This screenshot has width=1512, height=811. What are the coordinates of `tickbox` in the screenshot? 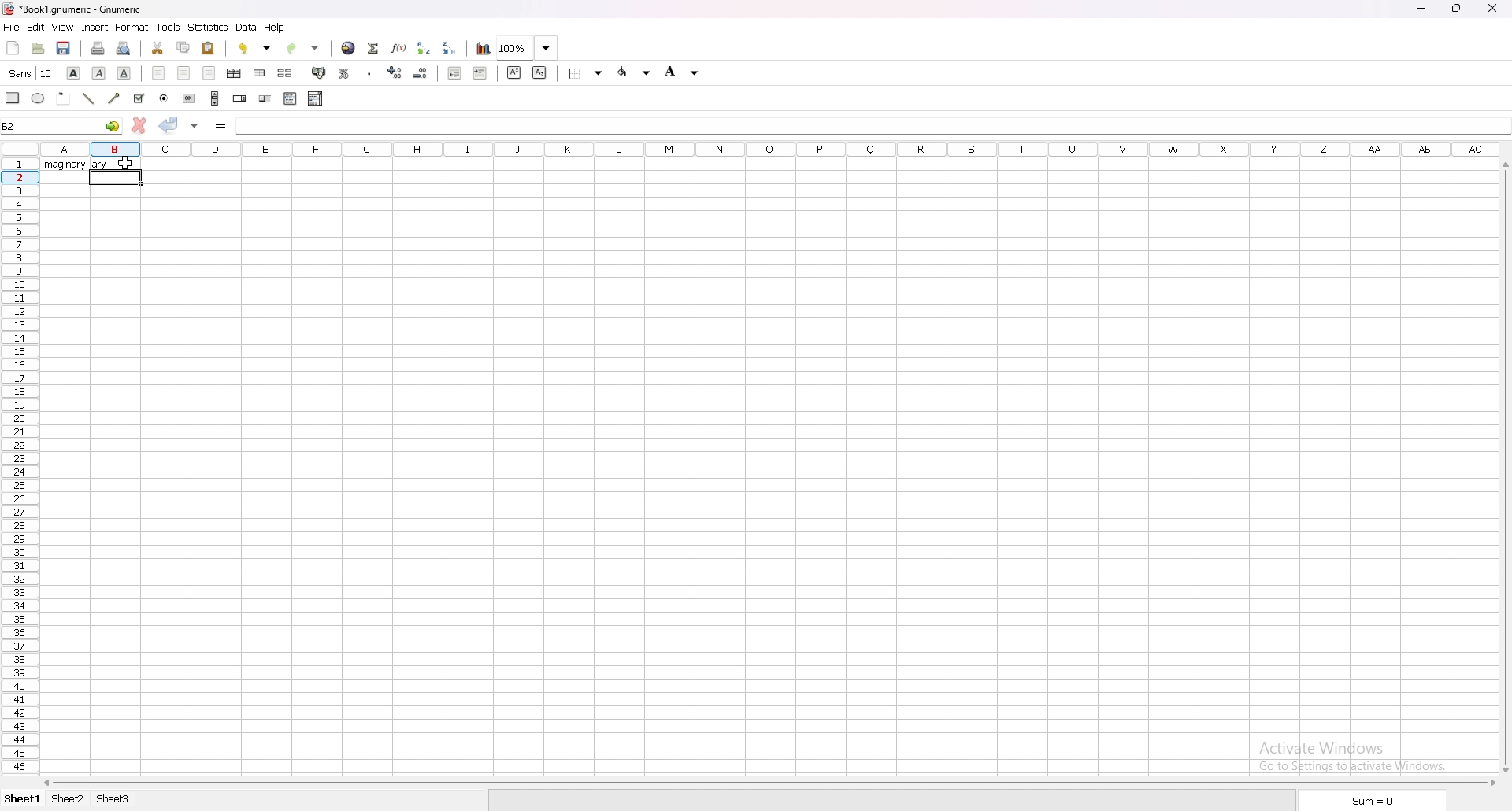 It's located at (140, 98).